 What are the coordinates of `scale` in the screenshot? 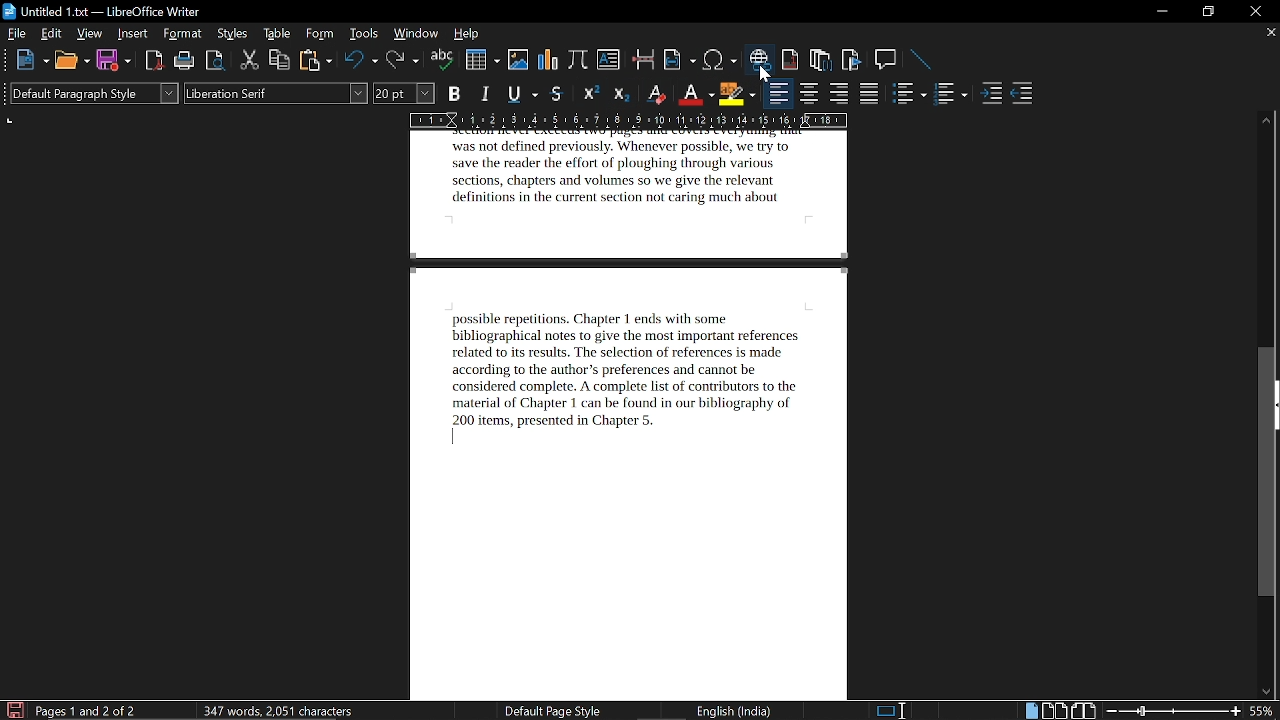 It's located at (629, 119).